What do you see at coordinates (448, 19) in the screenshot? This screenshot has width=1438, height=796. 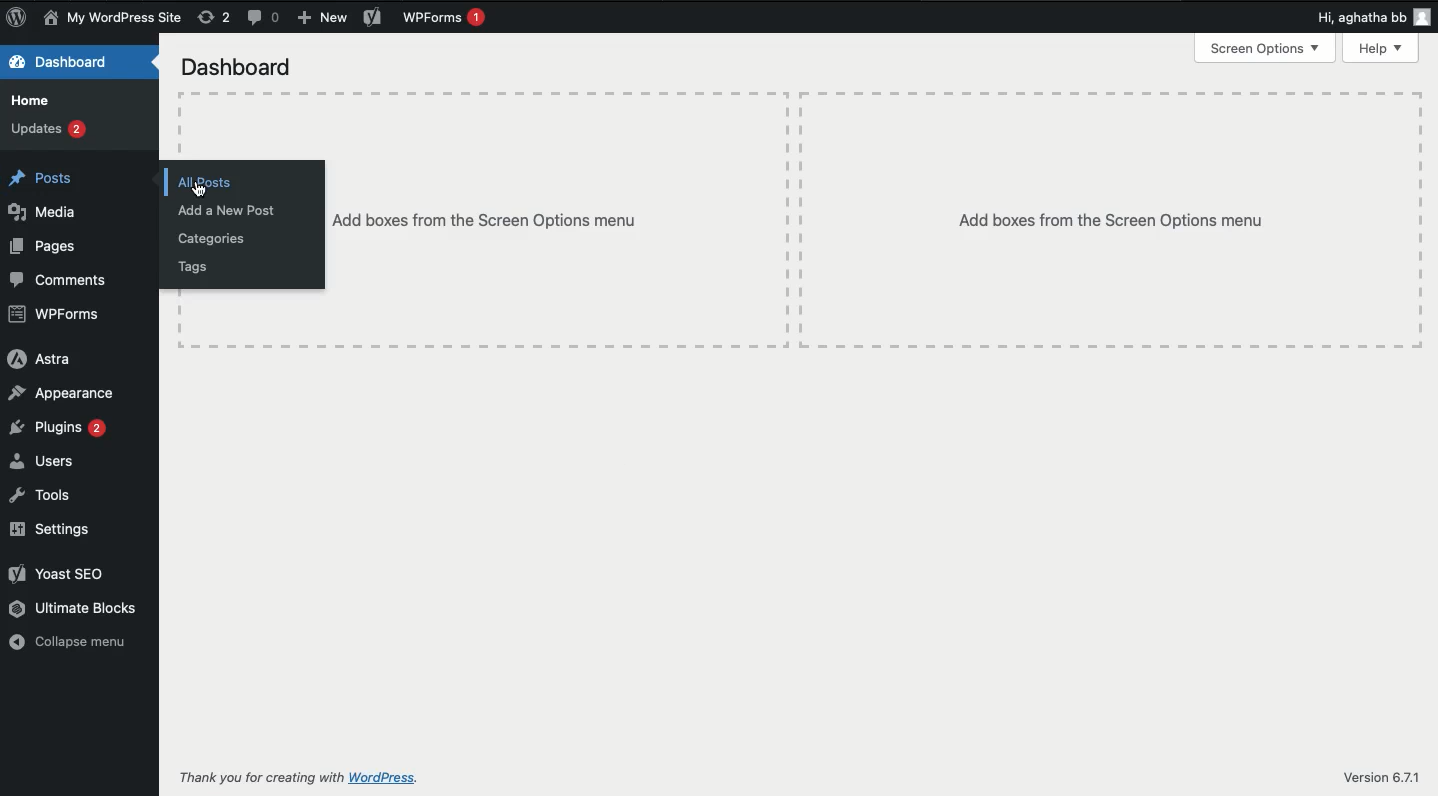 I see `WPForms` at bounding box center [448, 19].